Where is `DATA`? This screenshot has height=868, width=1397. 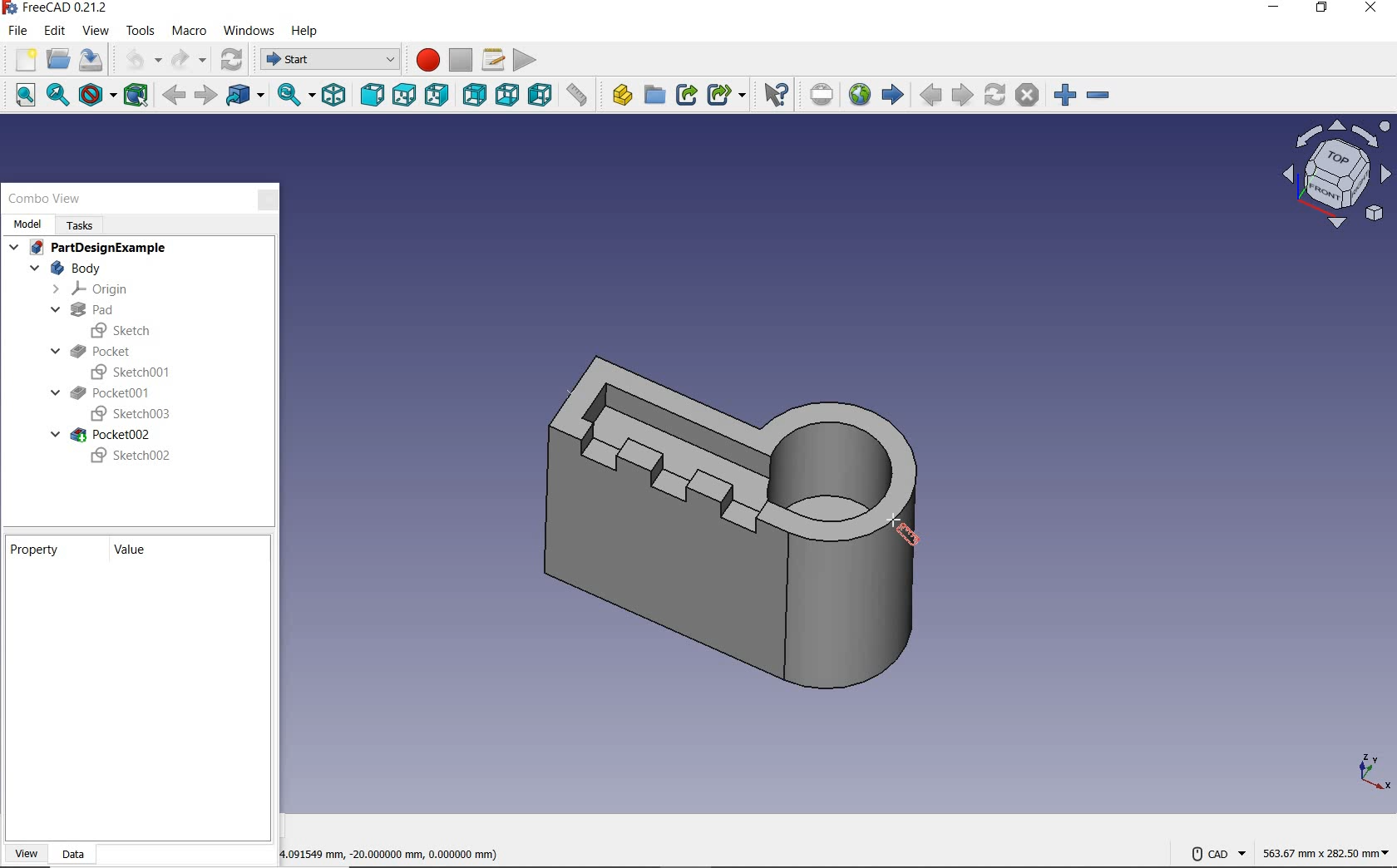
DATA is located at coordinates (73, 856).